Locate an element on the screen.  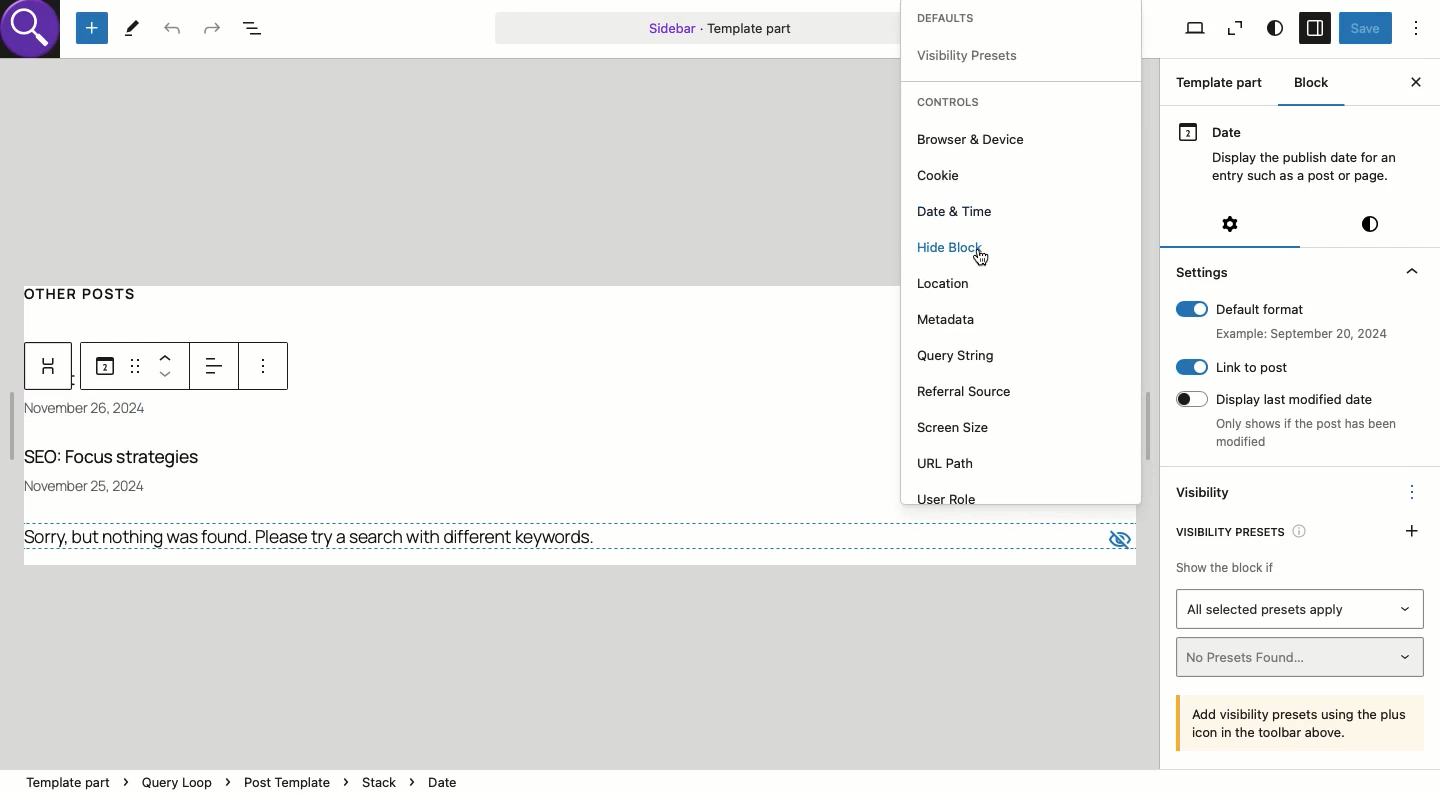
example is located at coordinates (1297, 334).